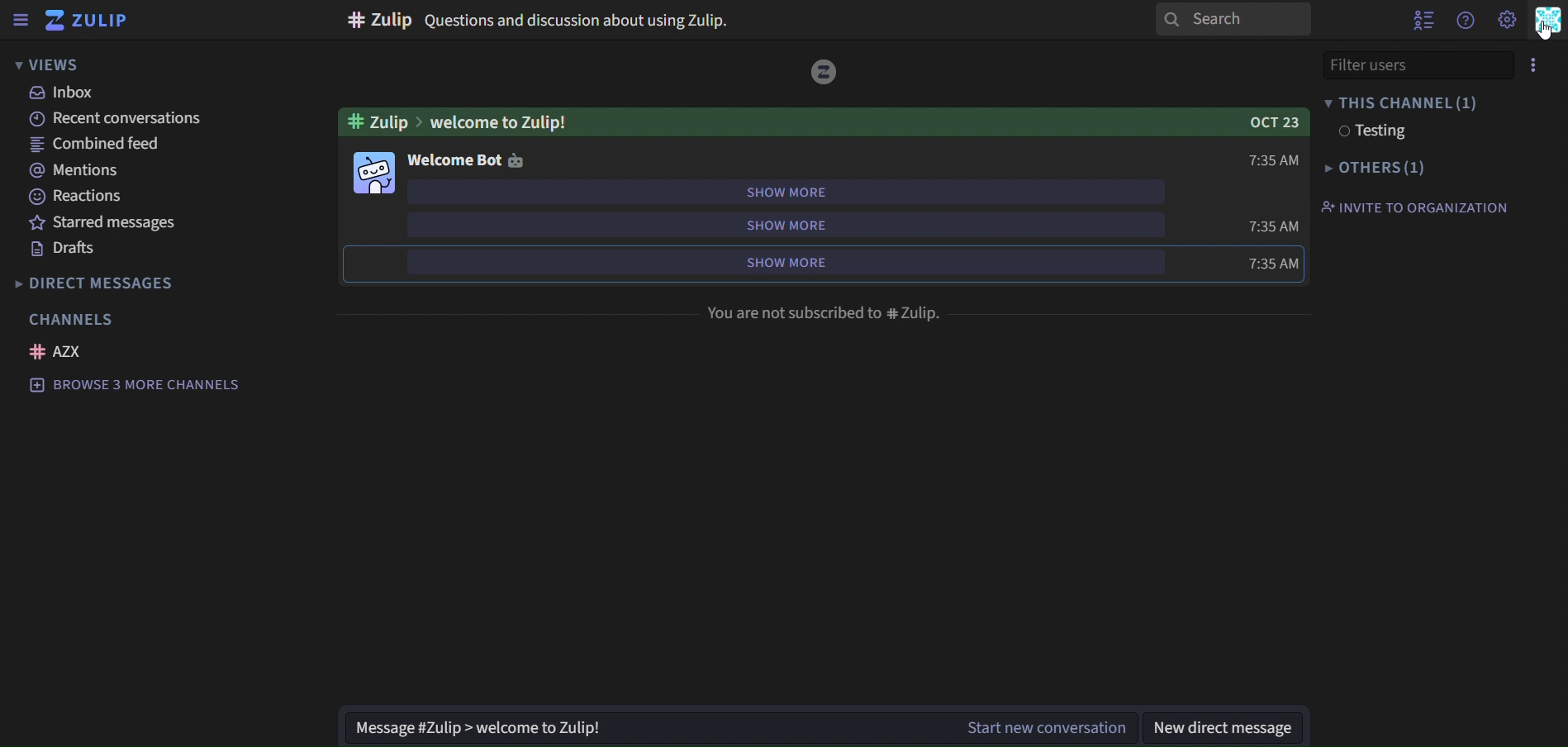 Image resolution: width=1568 pixels, height=747 pixels. What do you see at coordinates (107, 224) in the screenshot?
I see `starred messages` at bounding box center [107, 224].